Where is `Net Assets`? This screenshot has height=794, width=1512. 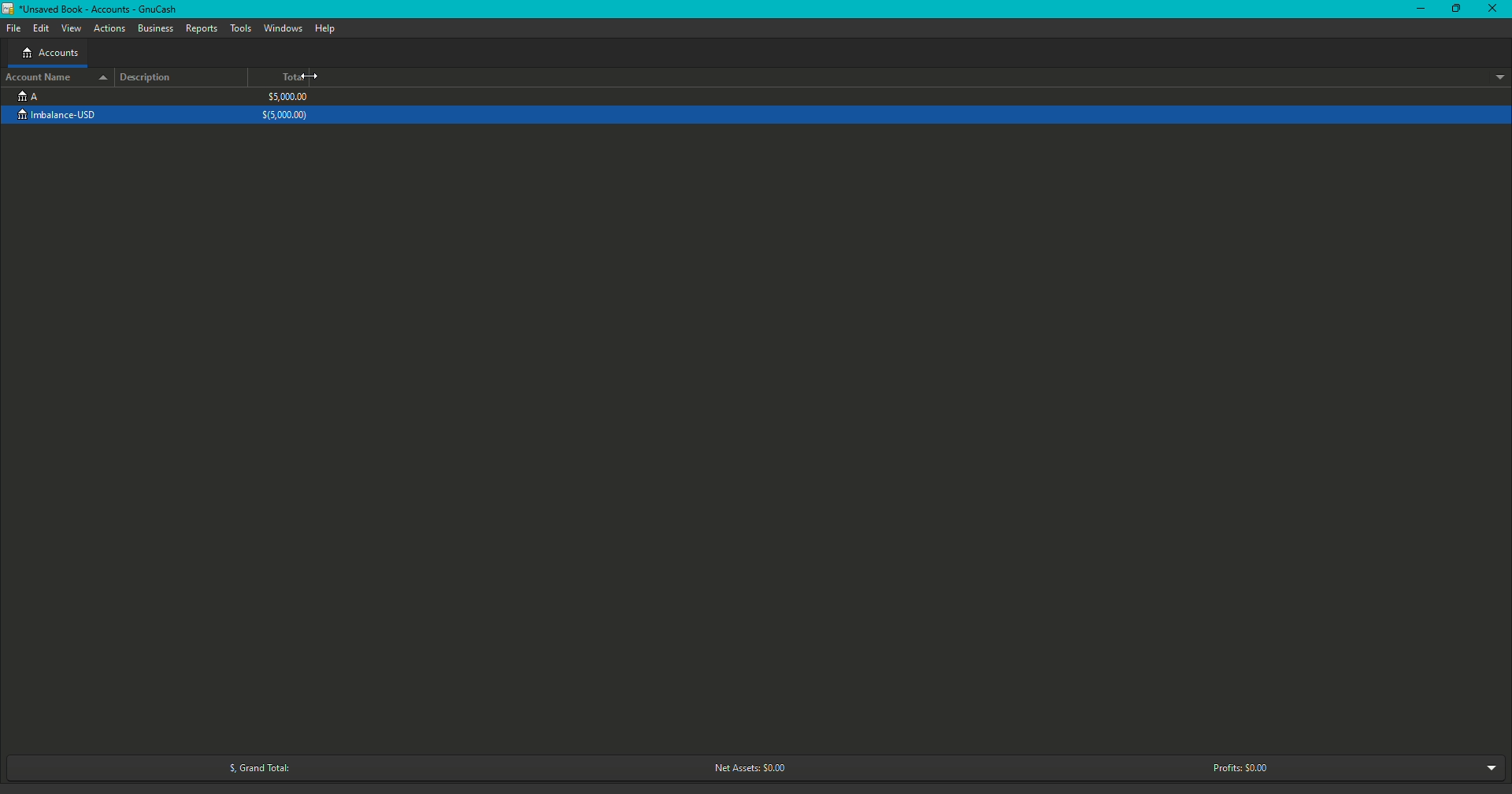
Net Assets is located at coordinates (746, 769).